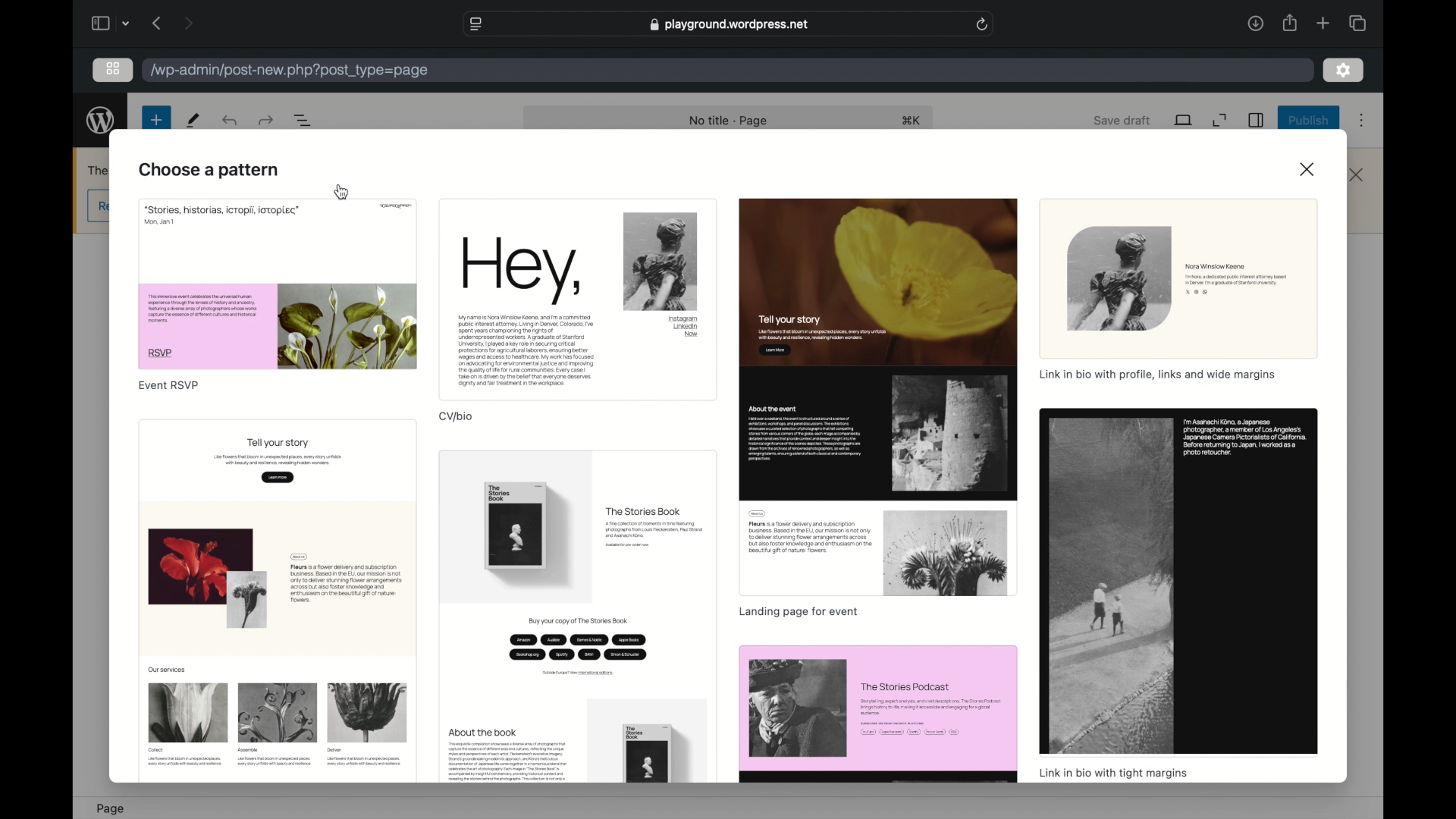 The height and width of the screenshot is (819, 1456). Describe the element at coordinates (731, 24) in the screenshot. I see `web address` at that location.